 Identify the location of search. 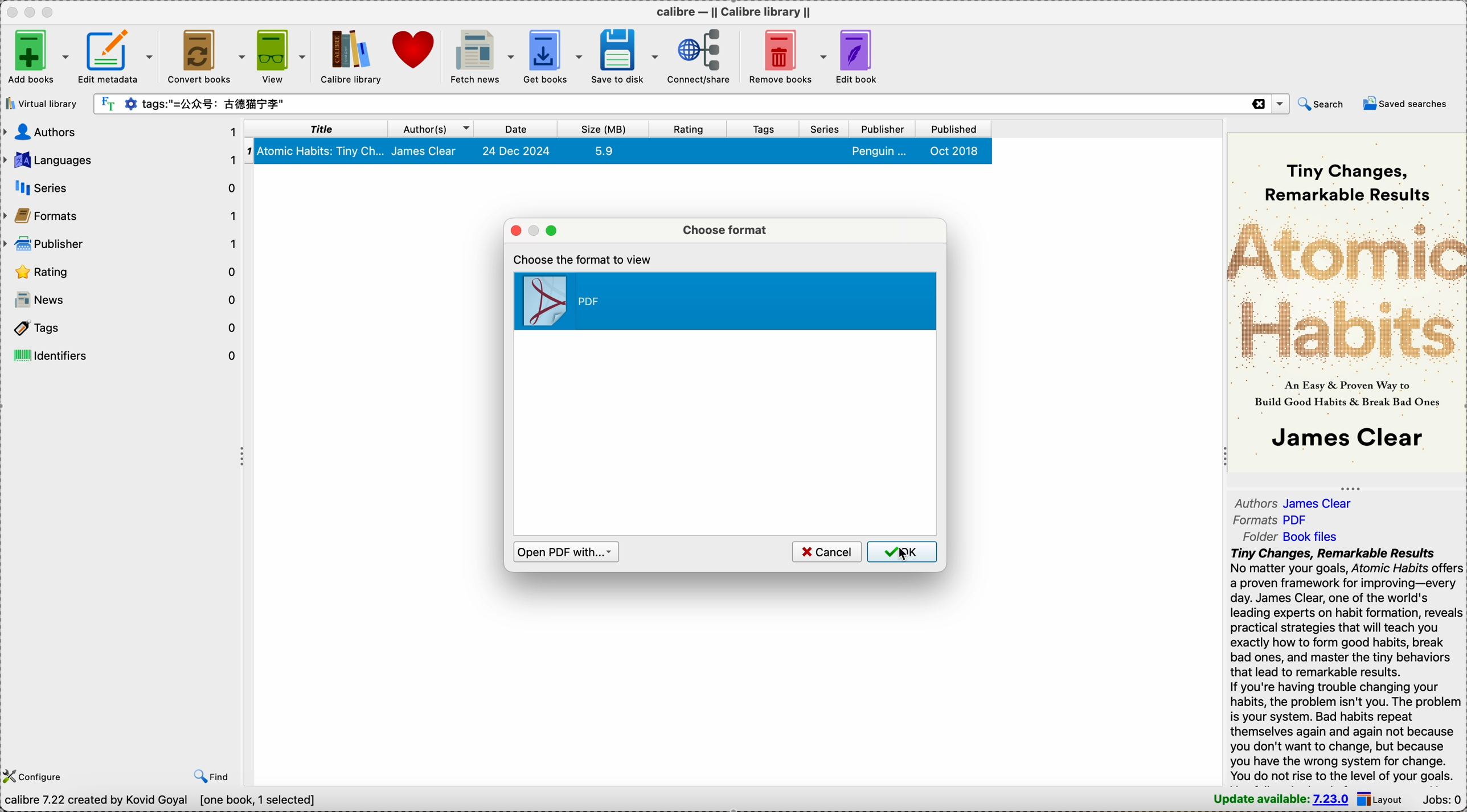
(1321, 104).